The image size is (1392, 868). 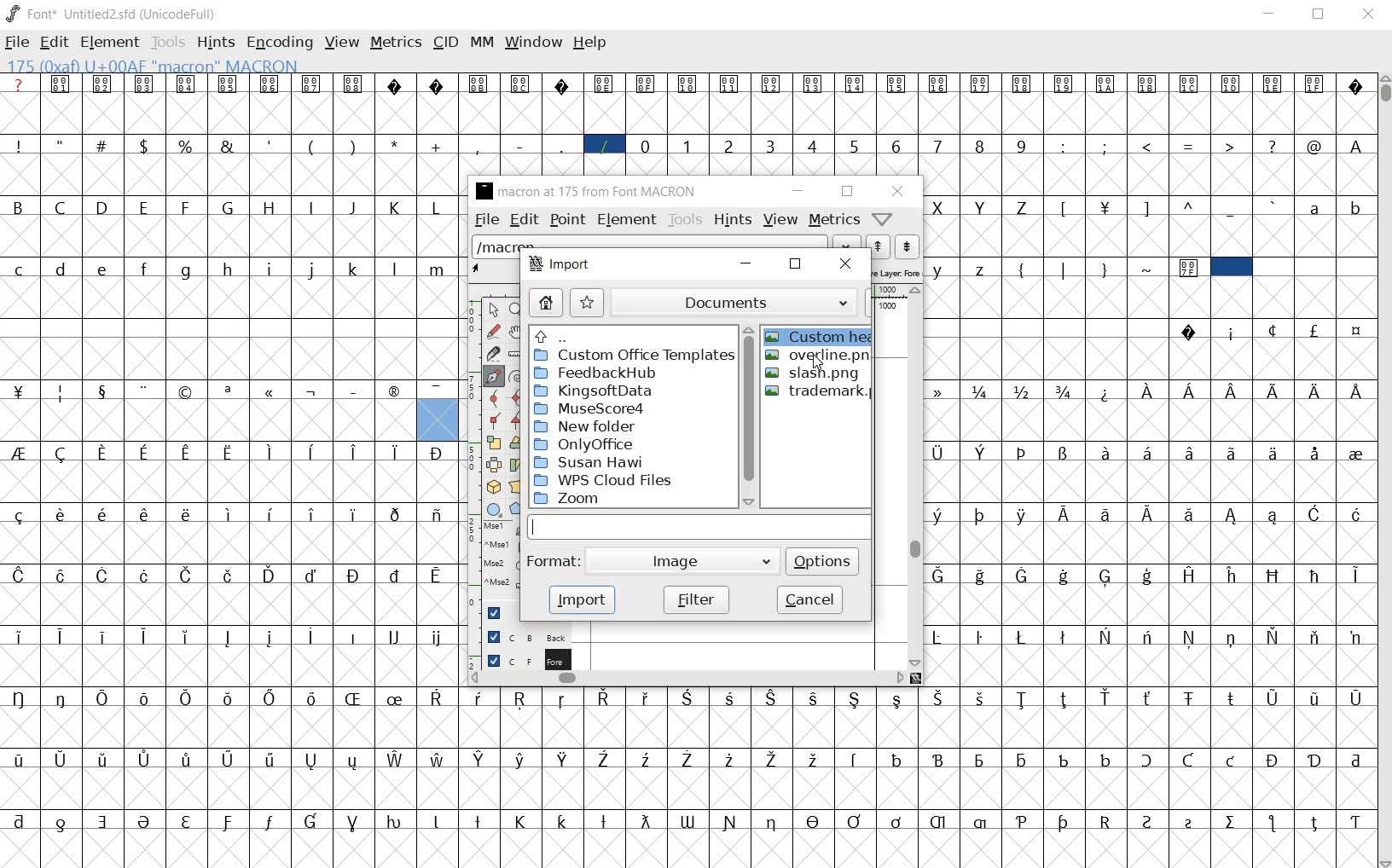 What do you see at coordinates (979, 823) in the screenshot?
I see `Symbol` at bounding box center [979, 823].